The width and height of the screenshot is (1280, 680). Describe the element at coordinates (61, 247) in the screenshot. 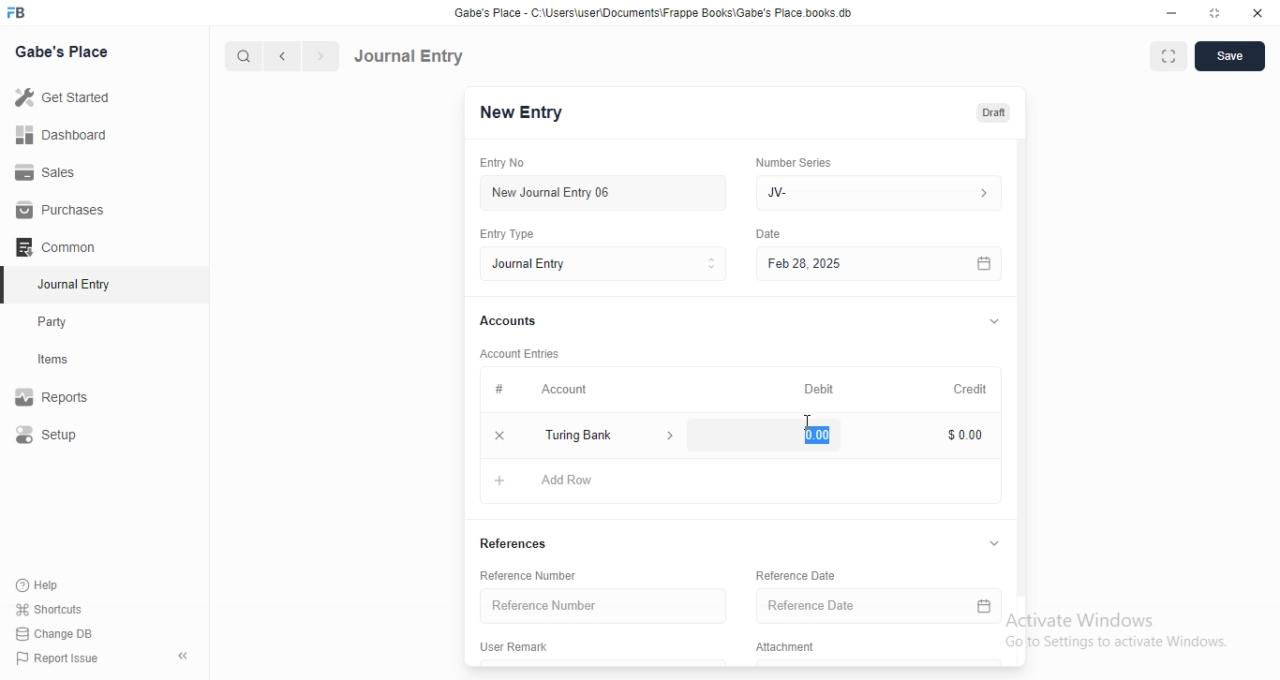

I see `Common` at that location.